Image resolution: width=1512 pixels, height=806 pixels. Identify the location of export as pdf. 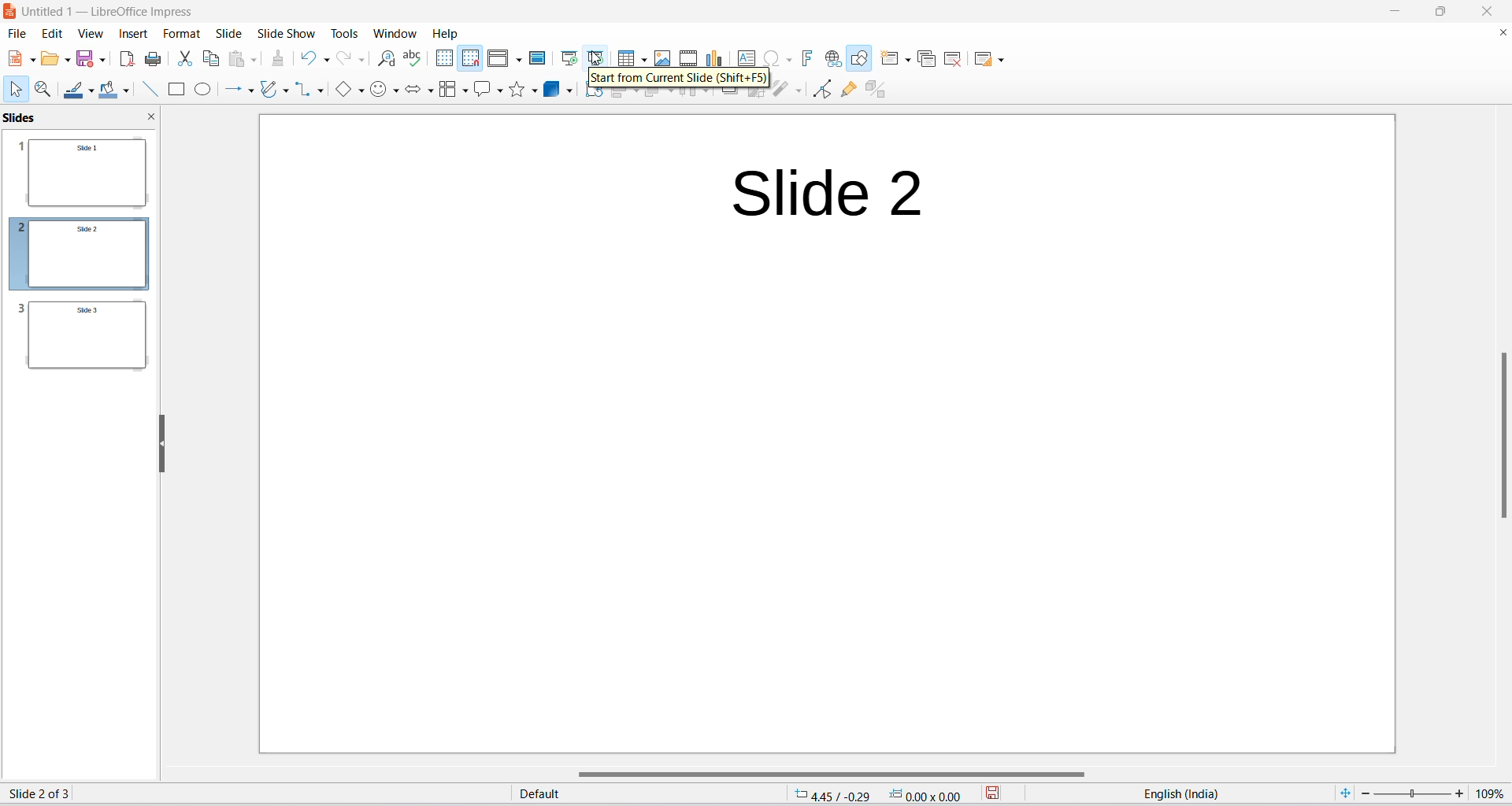
(126, 61).